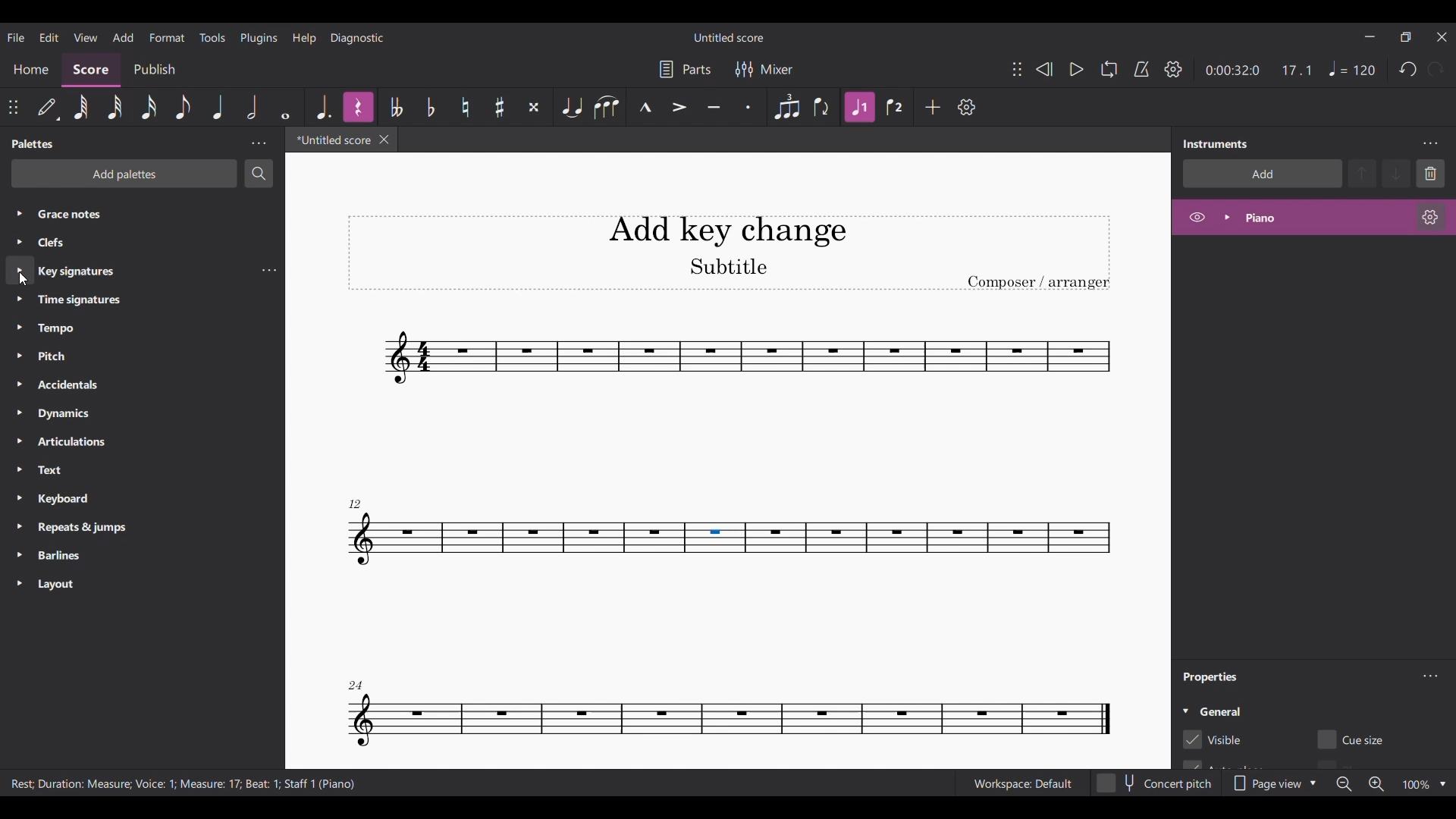 The image size is (1456, 819). What do you see at coordinates (500, 106) in the screenshot?
I see `Toggle sharp` at bounding box center [500, 106].